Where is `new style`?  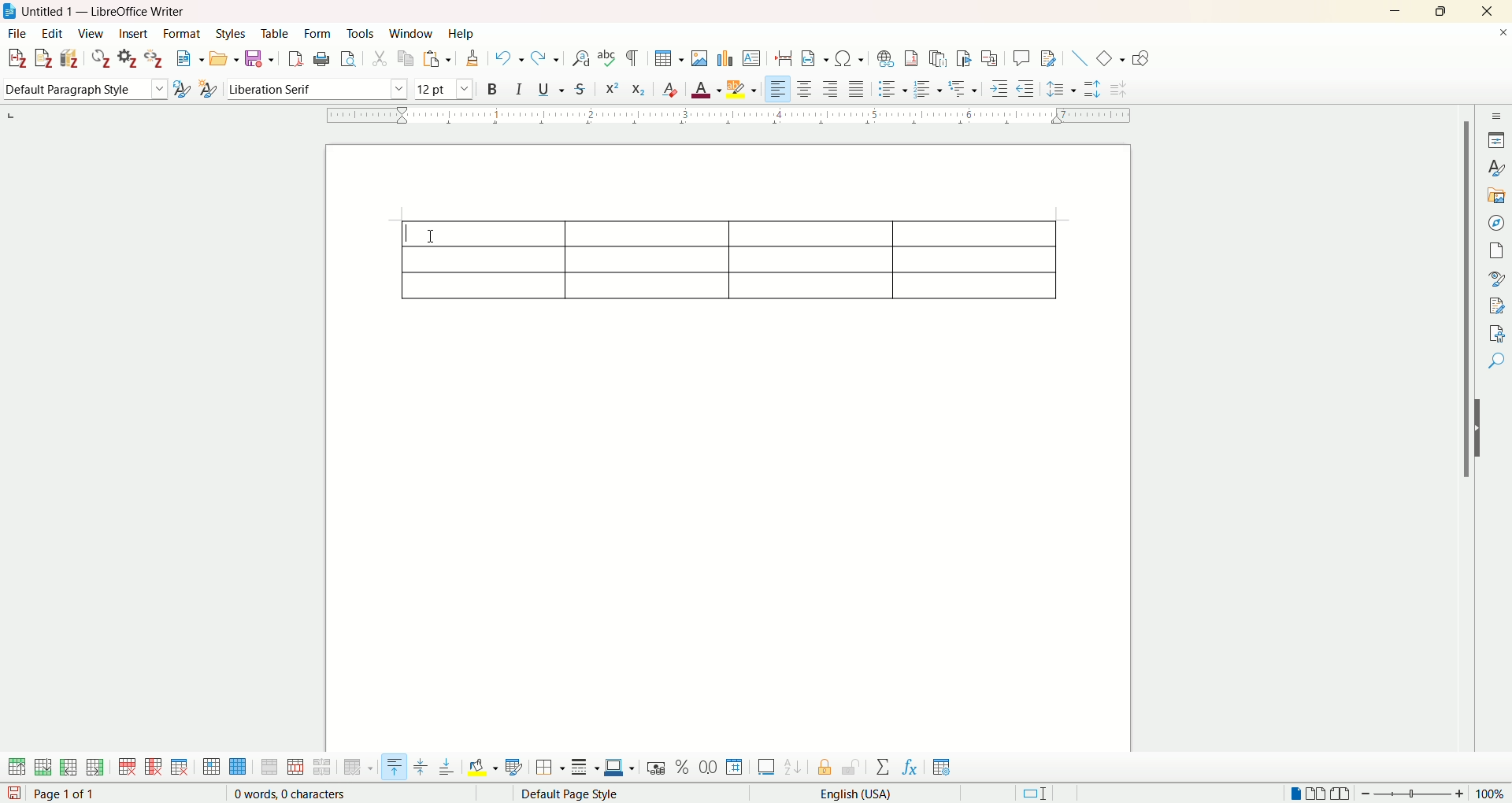 new style is located at coordinates (206, 88).